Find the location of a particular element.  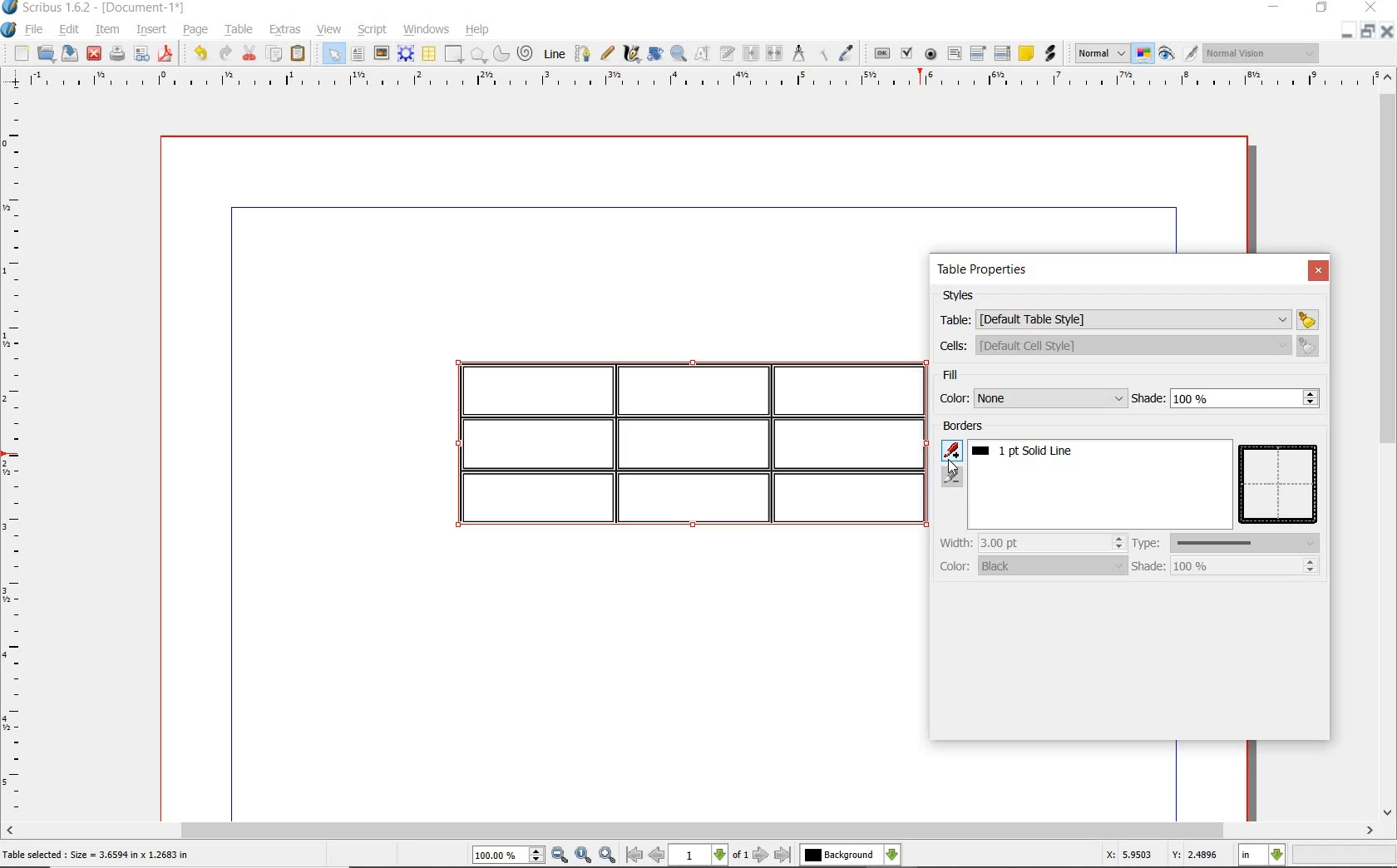

select the image preview quality is located at coordinates (1097, 53).